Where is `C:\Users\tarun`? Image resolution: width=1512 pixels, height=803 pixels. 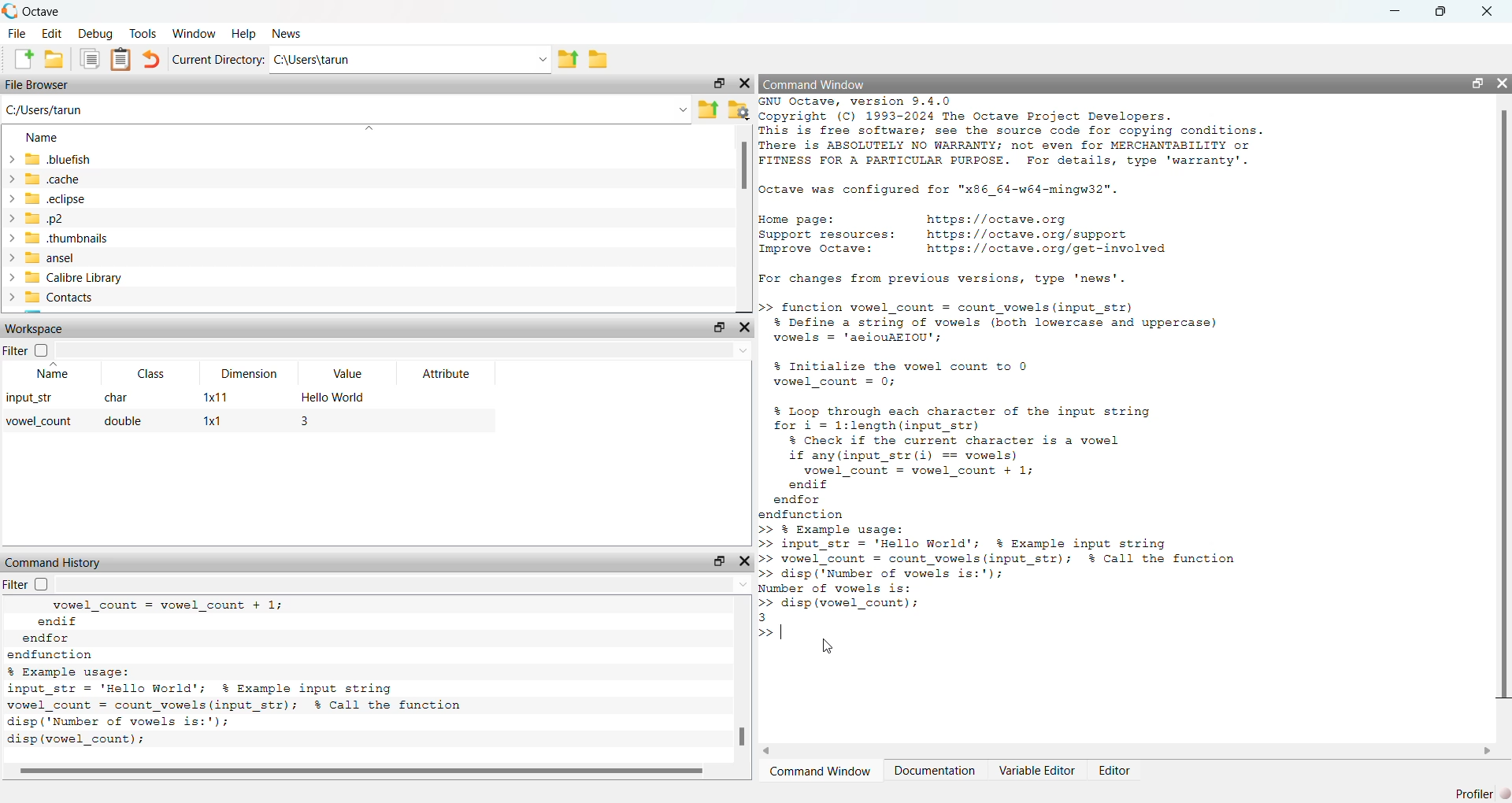 C:\Users\tarun is located at coordinates (387, 59).